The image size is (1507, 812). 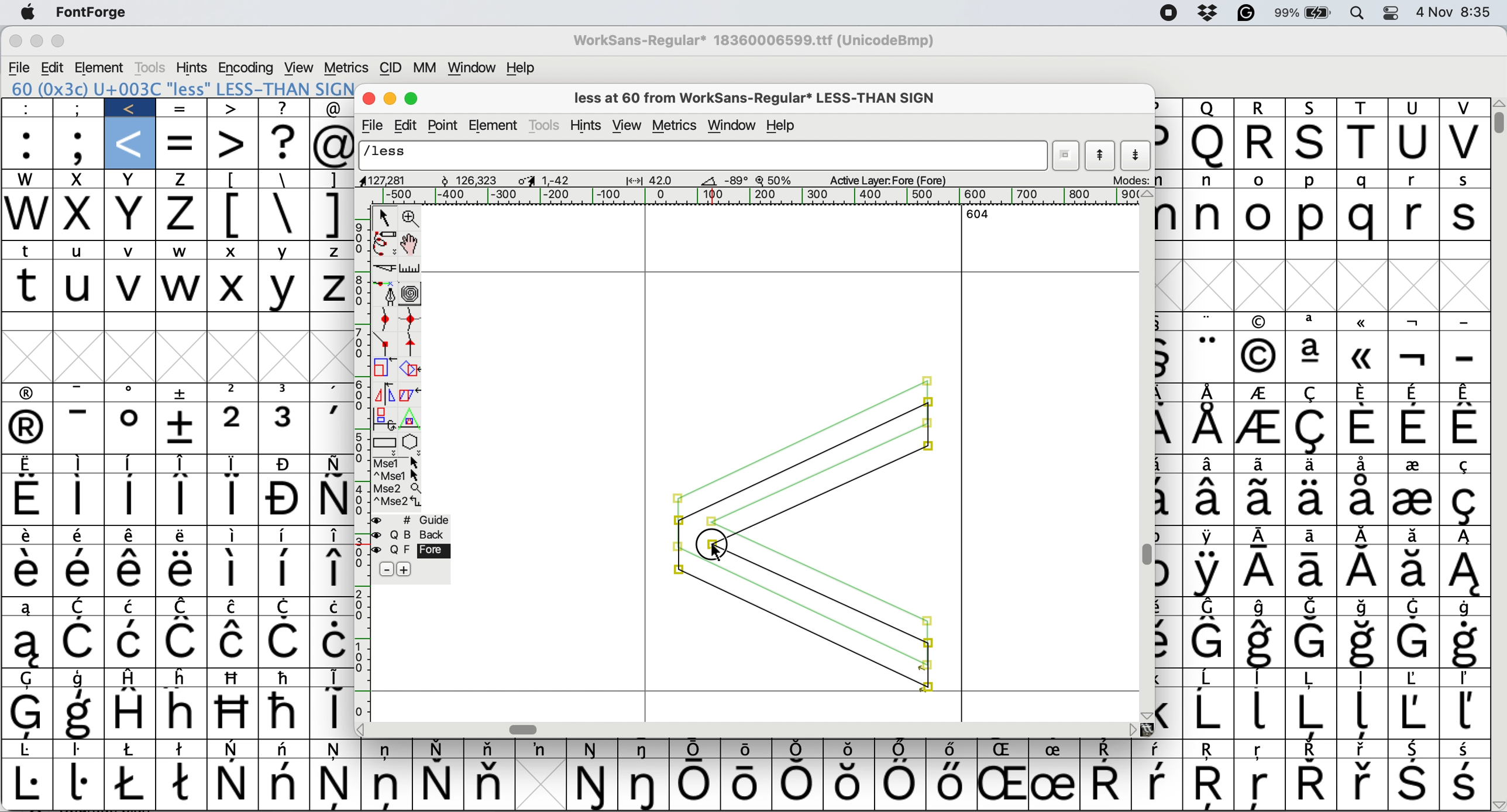 What do you see at coordinates (132, 143) in the screenshot?
I see `<` at bounding box center [132, 143].